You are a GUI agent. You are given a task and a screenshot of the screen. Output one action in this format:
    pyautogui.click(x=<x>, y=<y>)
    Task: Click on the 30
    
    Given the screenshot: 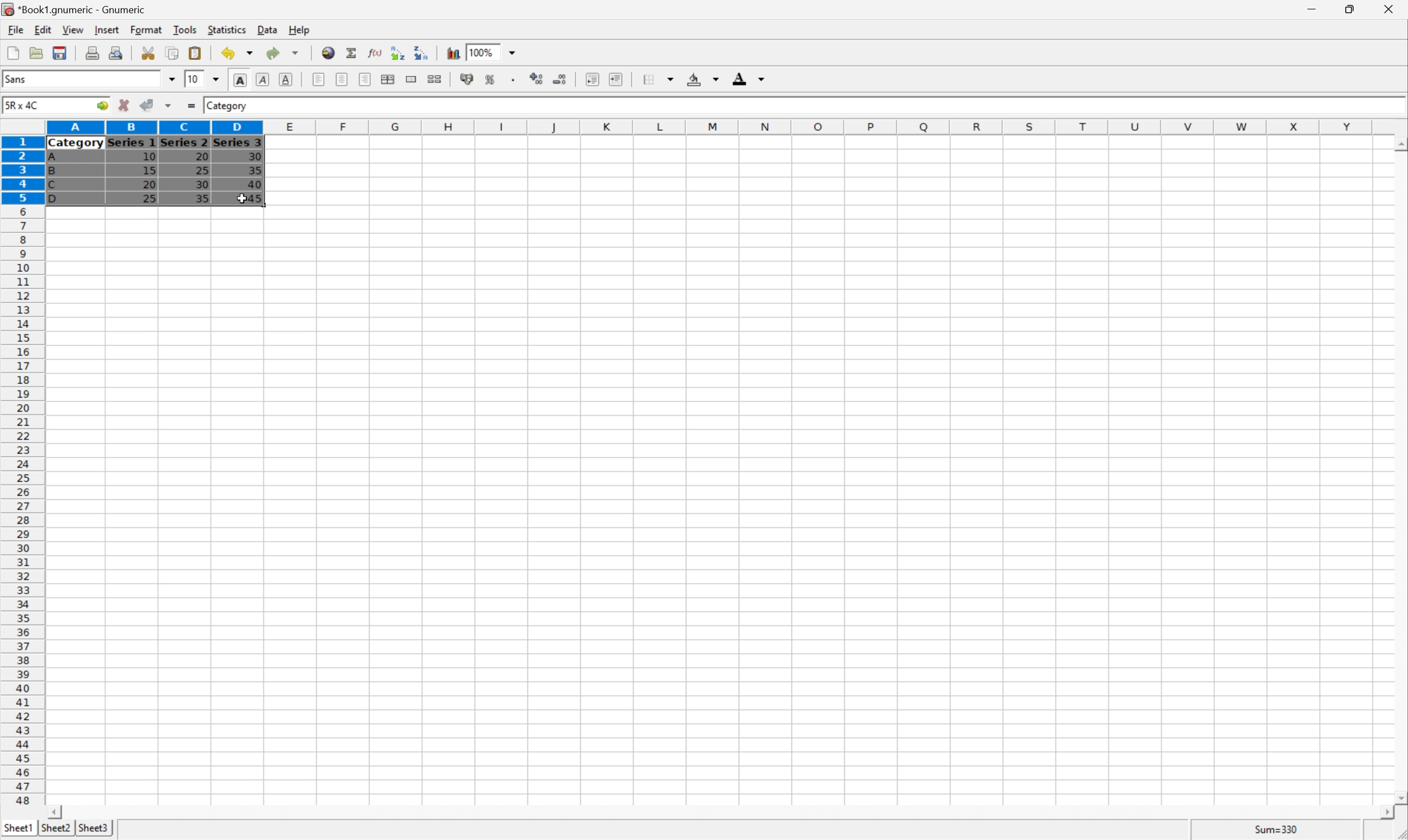 What is the action you would take?
    pyautogui.click(x=254, y=156)
    